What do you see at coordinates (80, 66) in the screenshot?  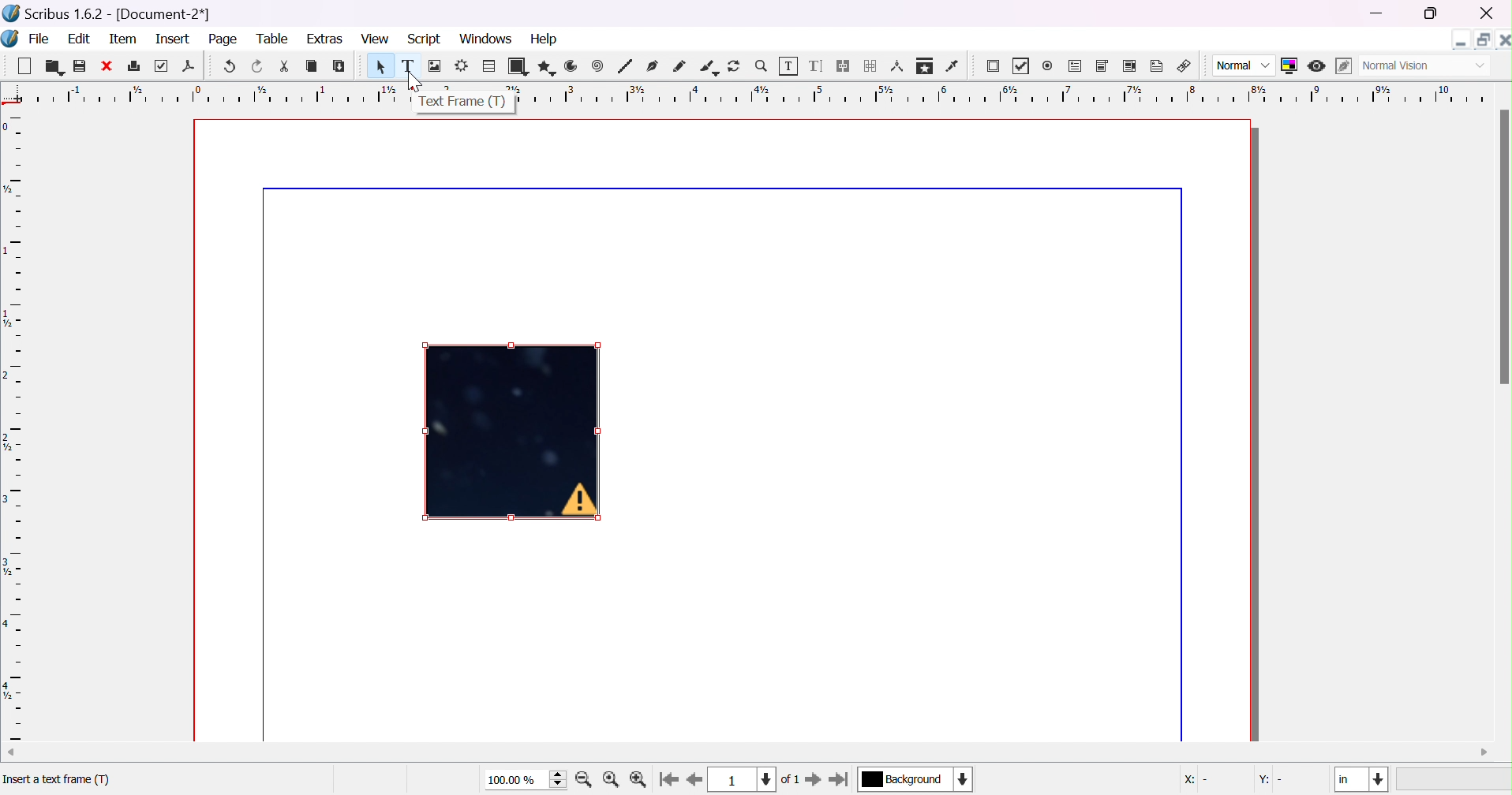 I see `save` at bounding box center [80, 66].